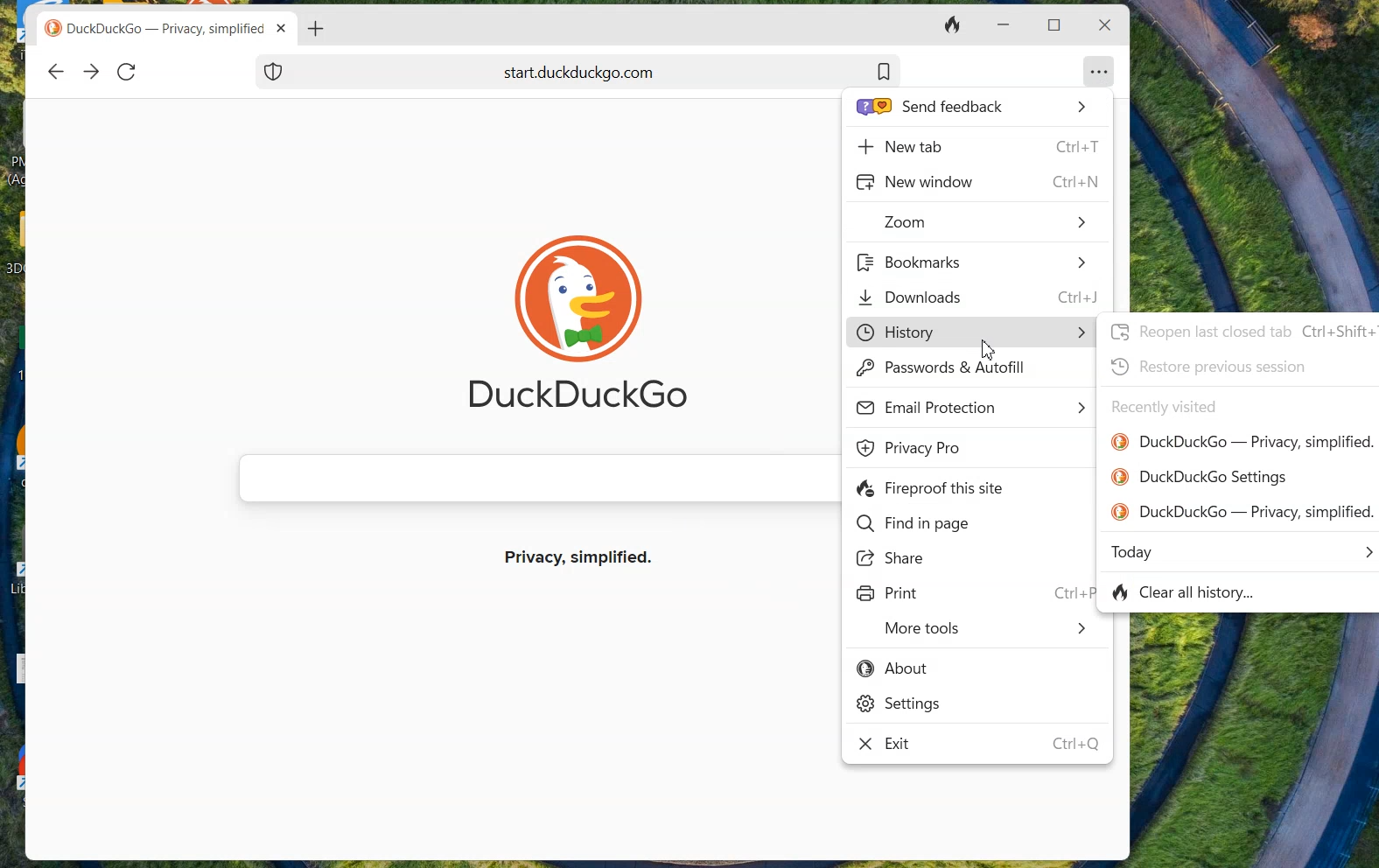 The height and width of the screenshot is (868, 1379). I want to click on Reopen last closed tab, so click(1240, 331).